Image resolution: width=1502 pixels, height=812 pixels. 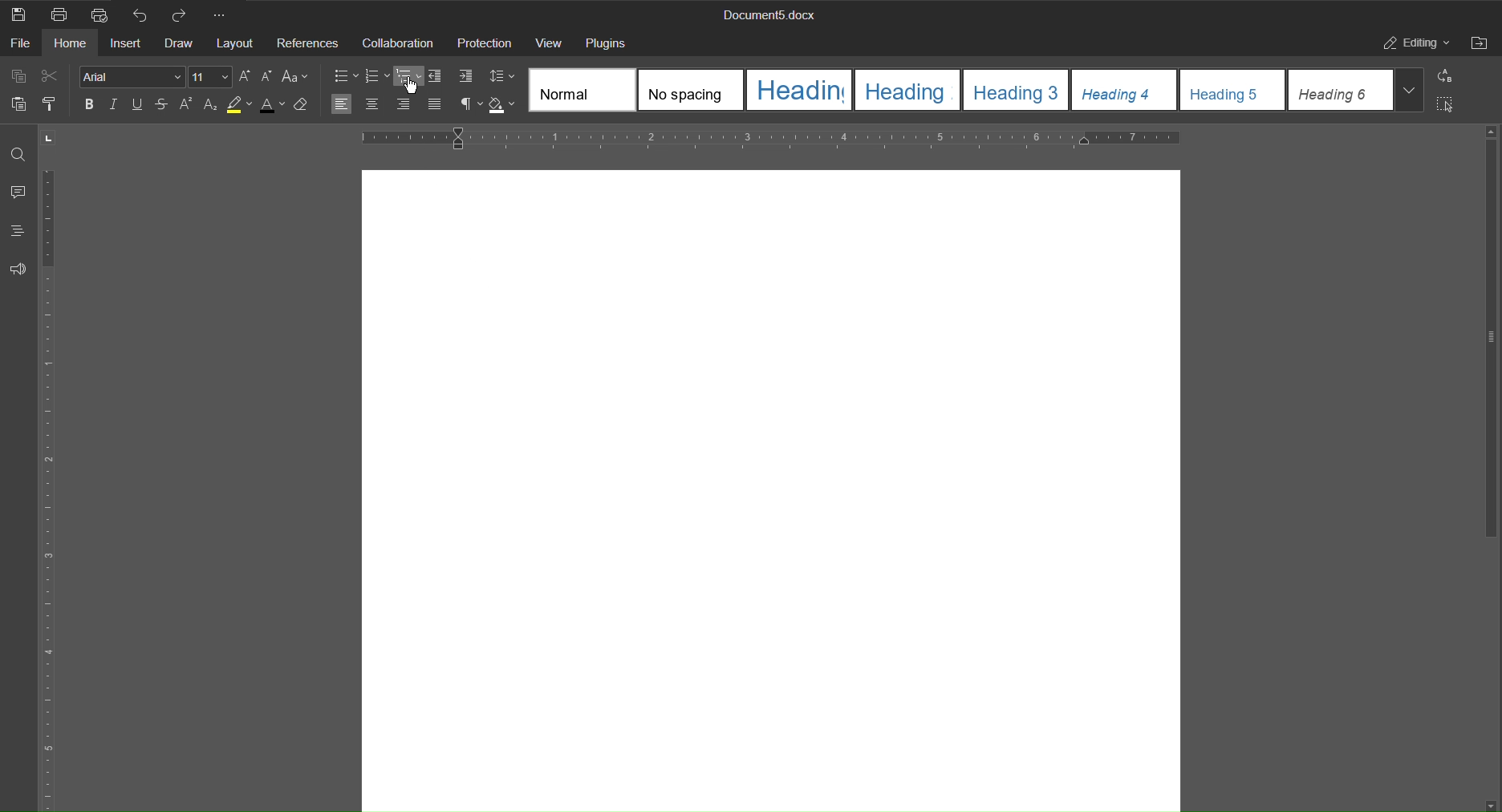 What do you see at coordinates (20, 45) in the screenshot?
I see `File ` at bounding box center [20, 45].